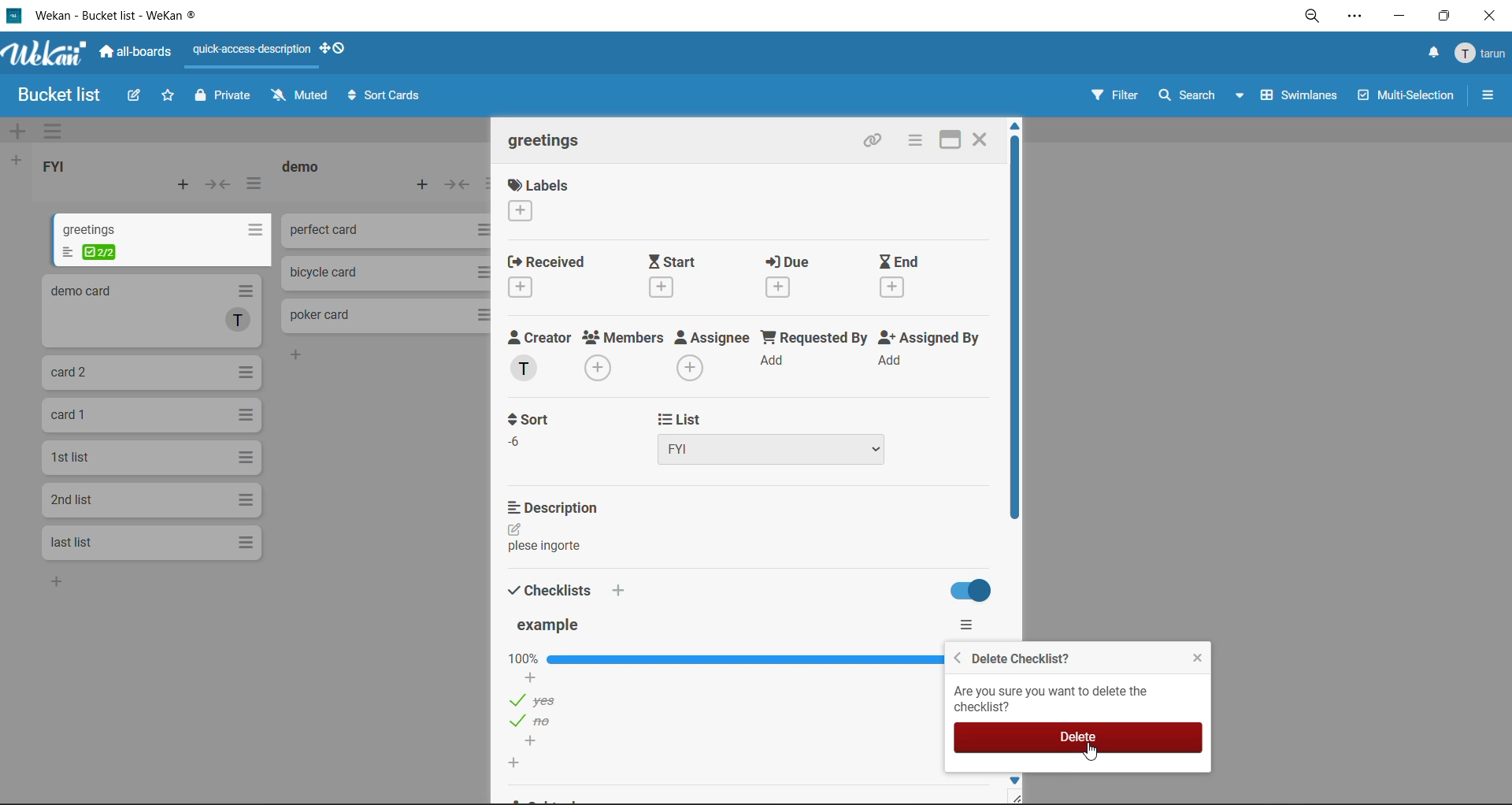 The image size is (1512, 805). Describe the element at coordinates (513, 528) in the screenshot. I see `edit` at that location.